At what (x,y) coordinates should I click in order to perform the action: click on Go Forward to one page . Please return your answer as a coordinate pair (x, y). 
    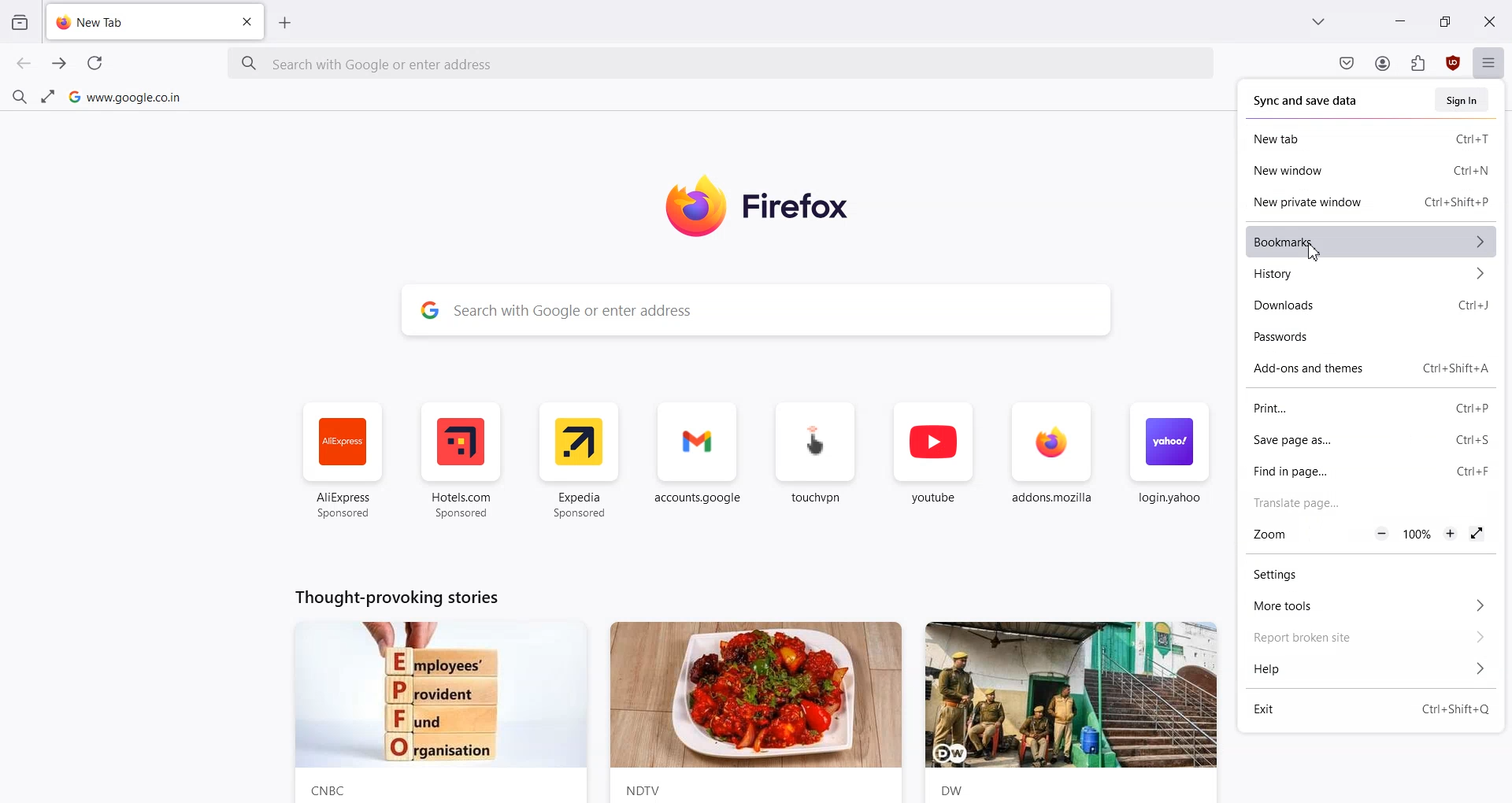
    Looking at the image, I should click on (60, 64).